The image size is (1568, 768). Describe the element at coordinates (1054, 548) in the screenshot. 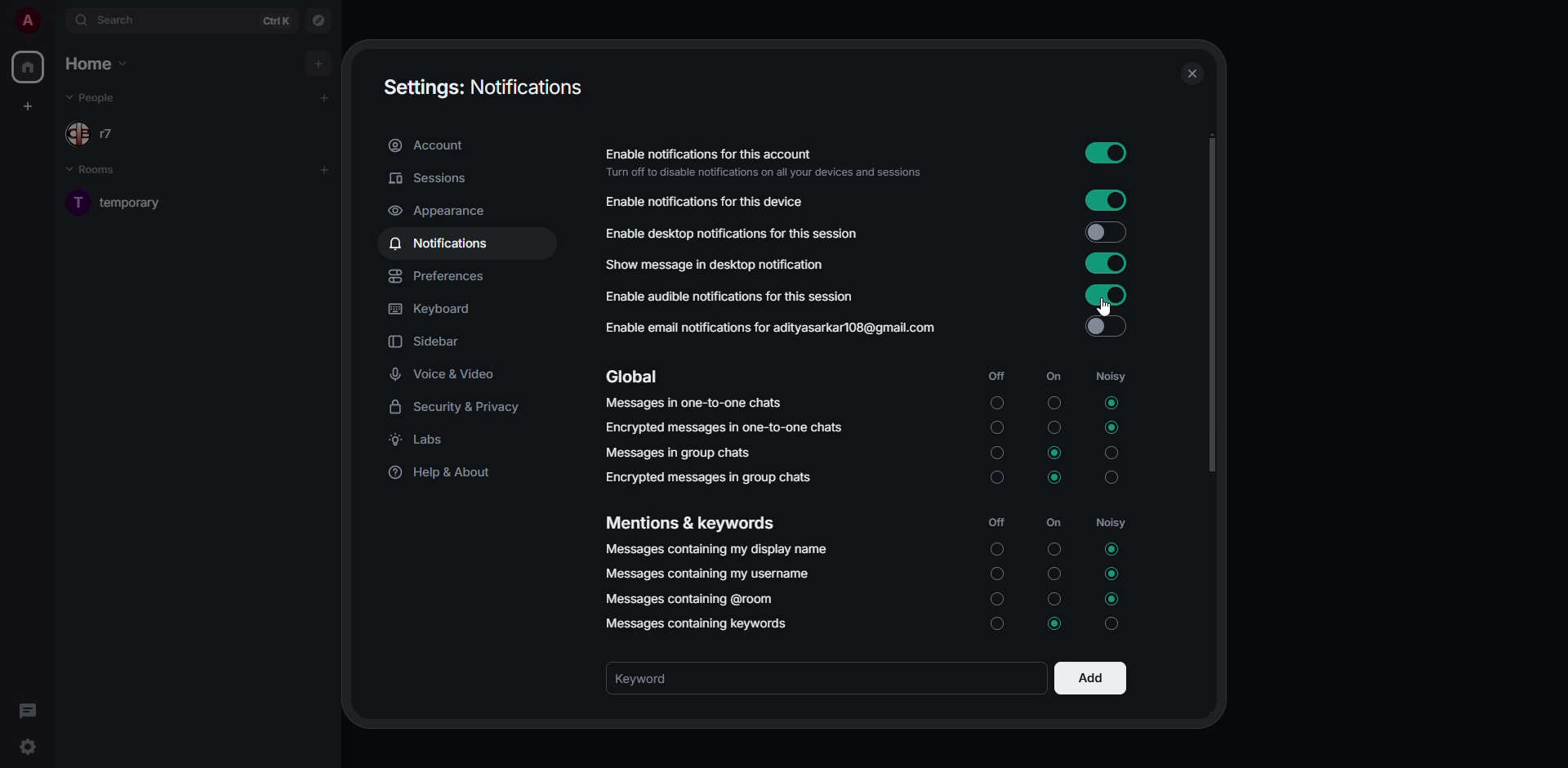

I see `On Unselected` at that location.